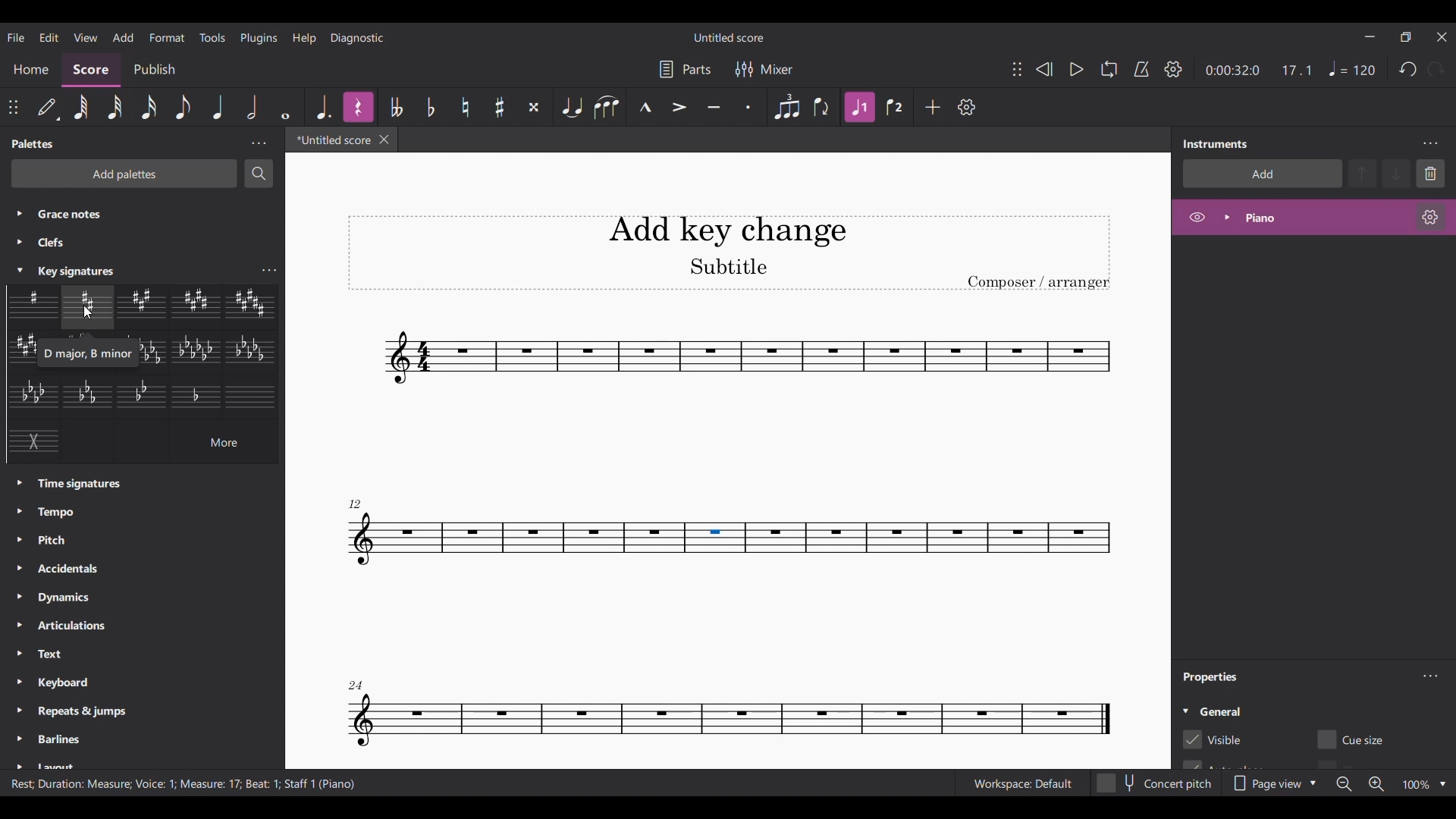  I want to click on Zoom out, so click(1344, 784).